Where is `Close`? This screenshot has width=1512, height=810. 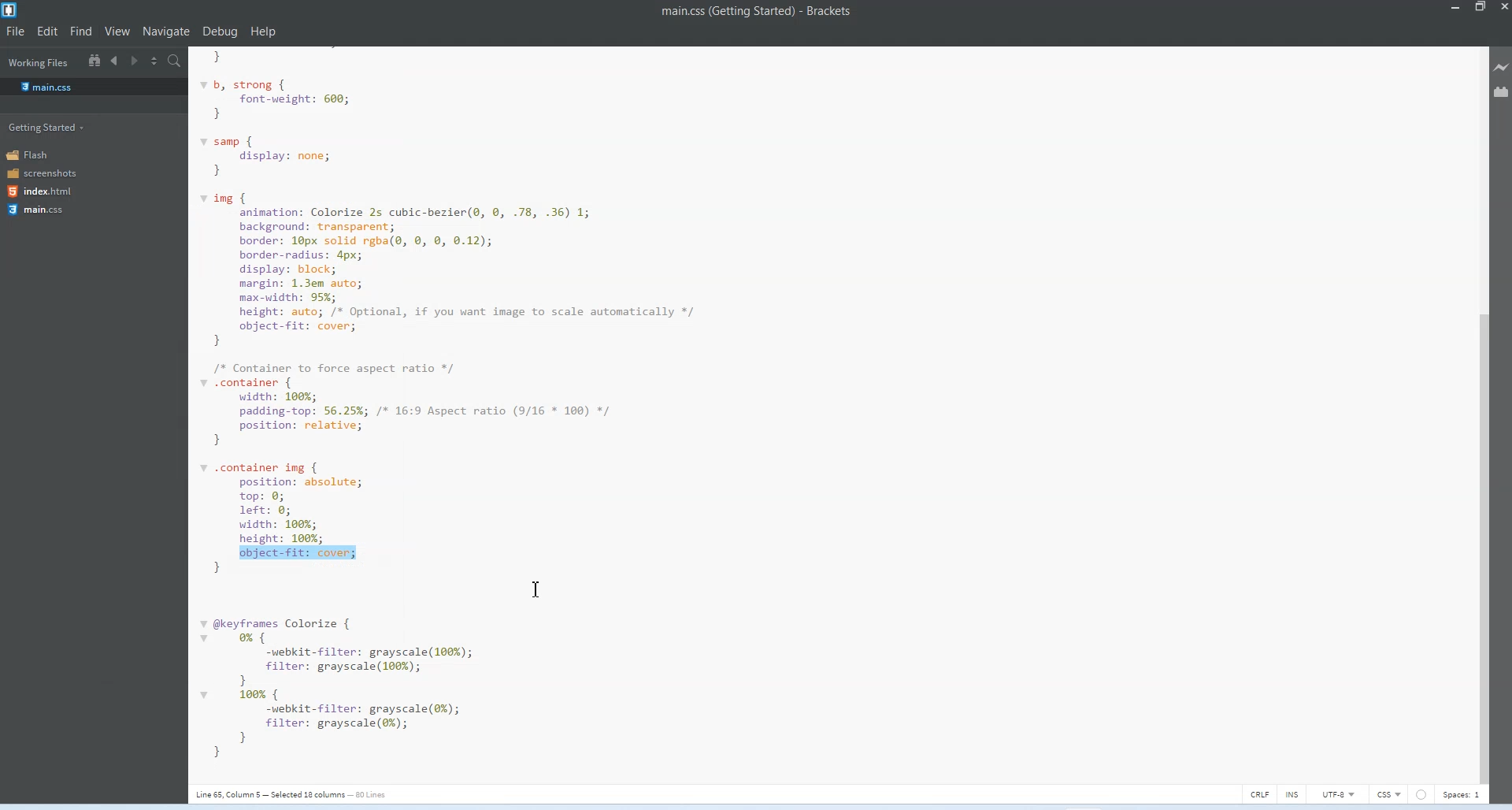
Close is located at coordinates (1503, 9).